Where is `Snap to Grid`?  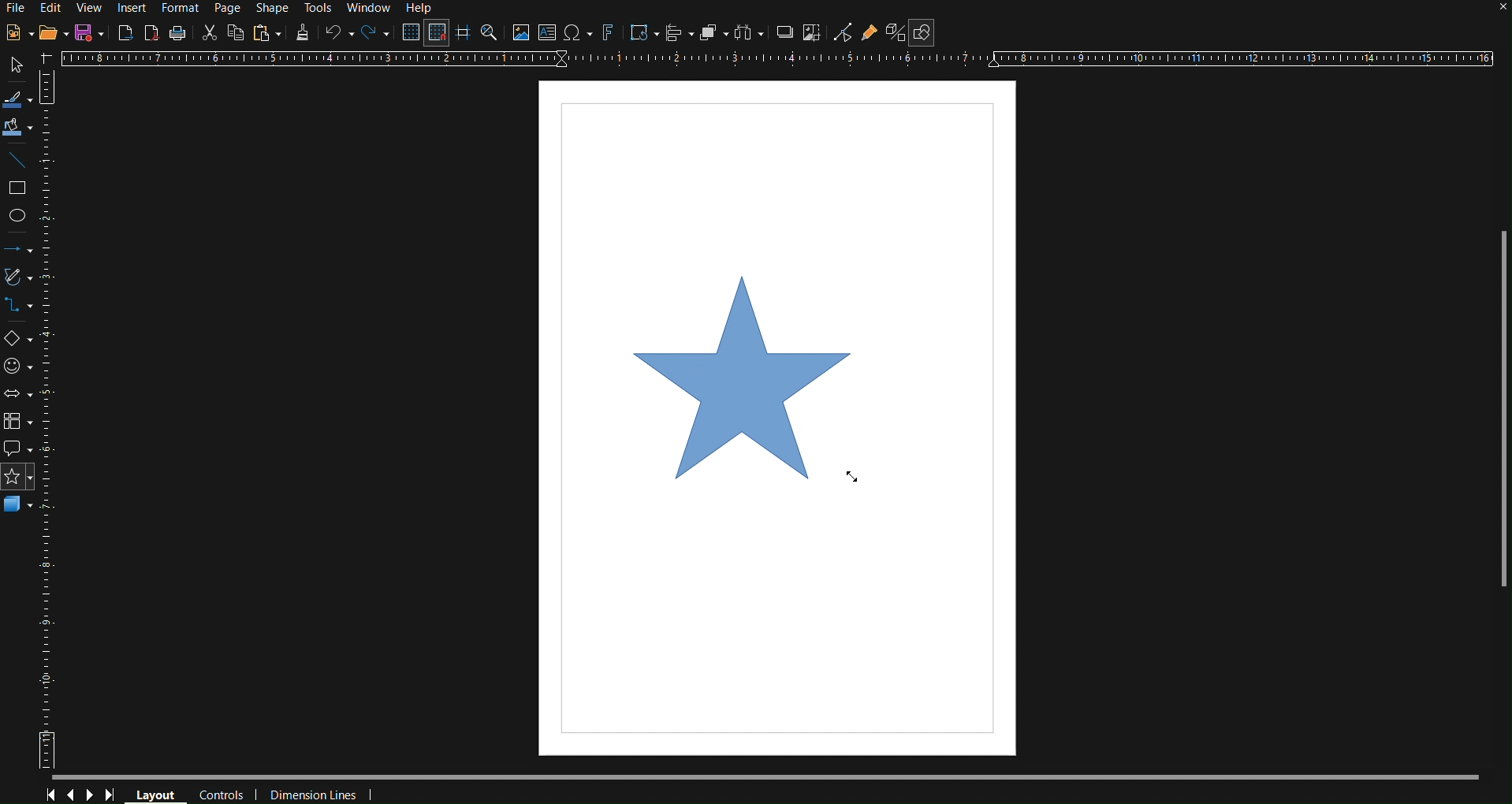 Snap to Grid is located at coordinates (437, 33).